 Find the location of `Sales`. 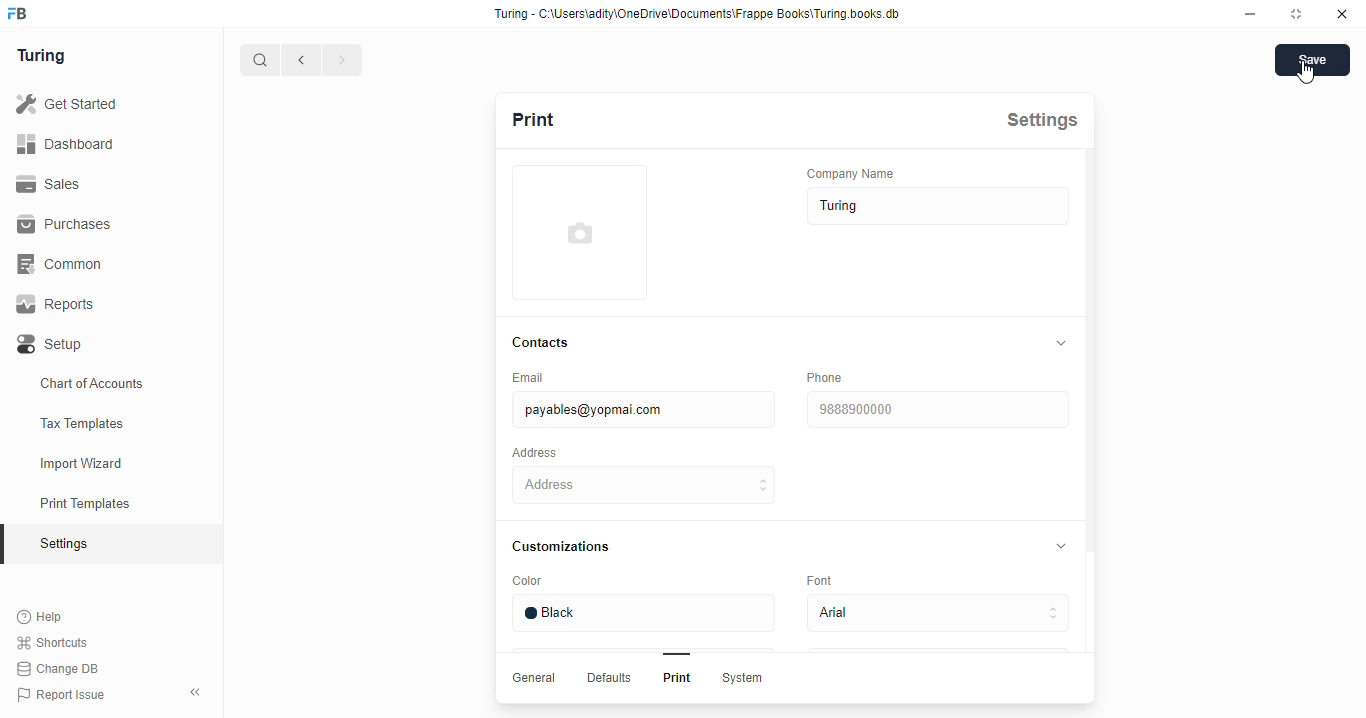

Sales is located at coordinates (58, 184).